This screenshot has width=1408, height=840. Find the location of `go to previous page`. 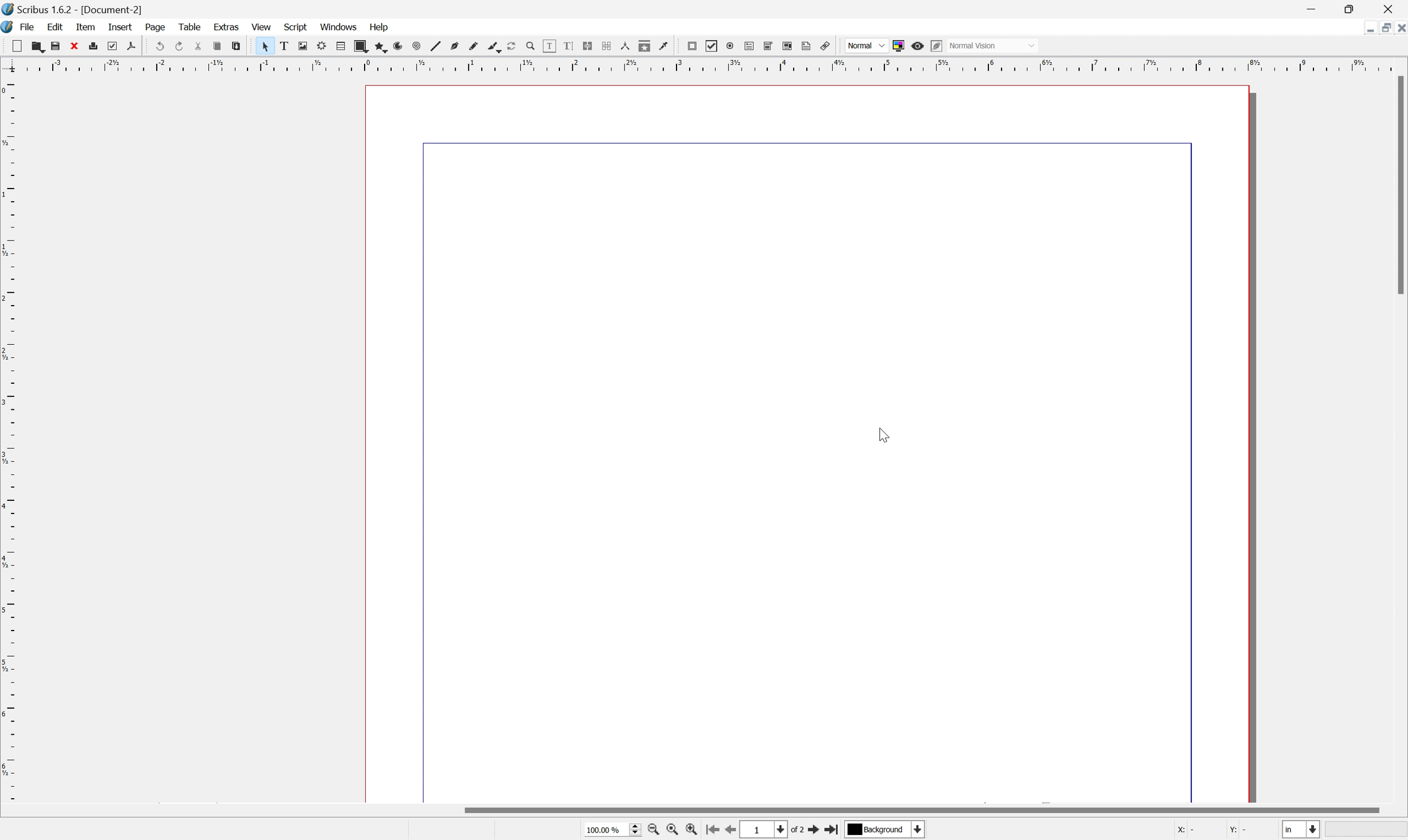

go to previous page is located at coordinates (733, 831).